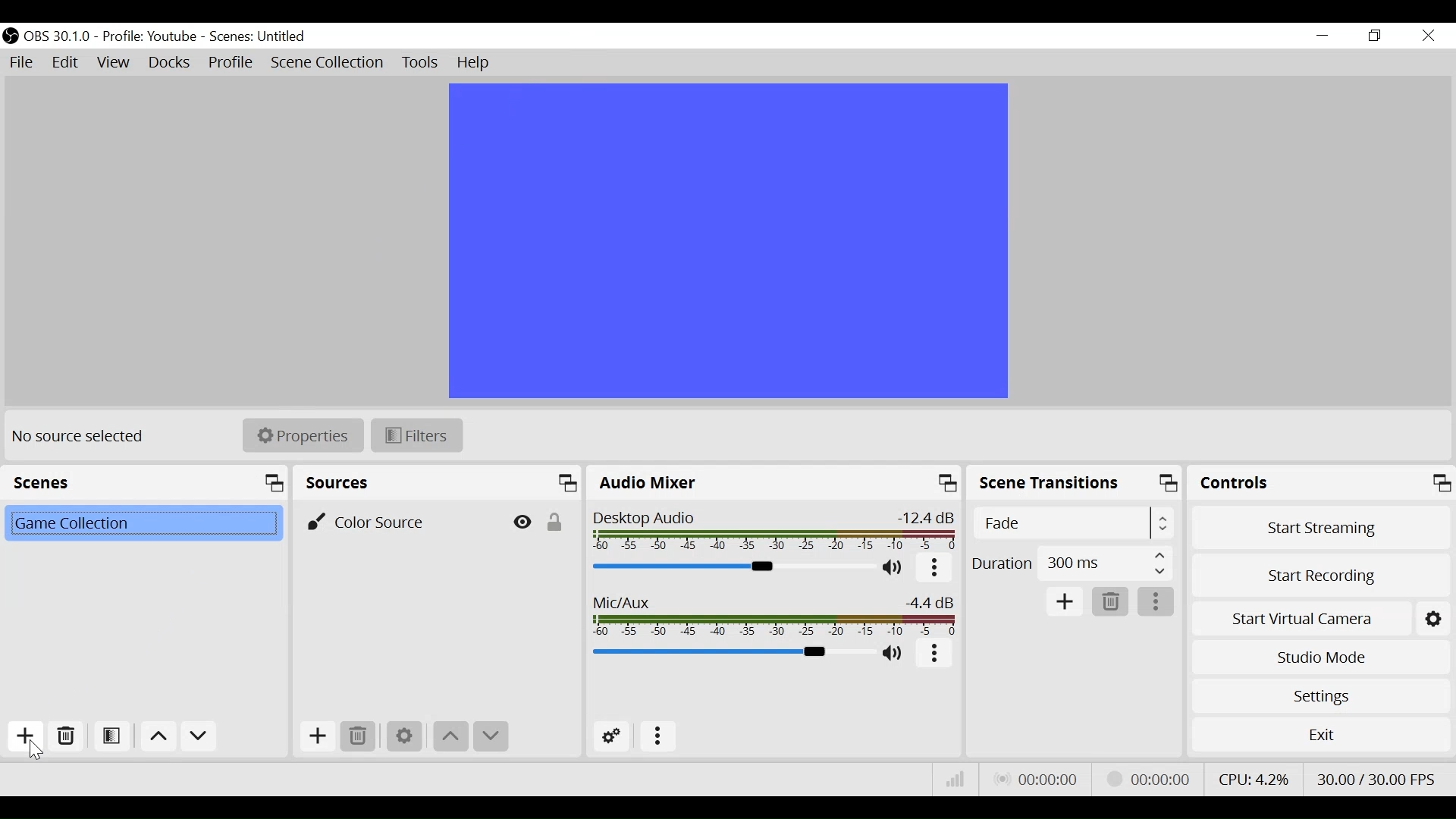 The image size is (1456, 819). I want to click on Add, so click(315, 736).